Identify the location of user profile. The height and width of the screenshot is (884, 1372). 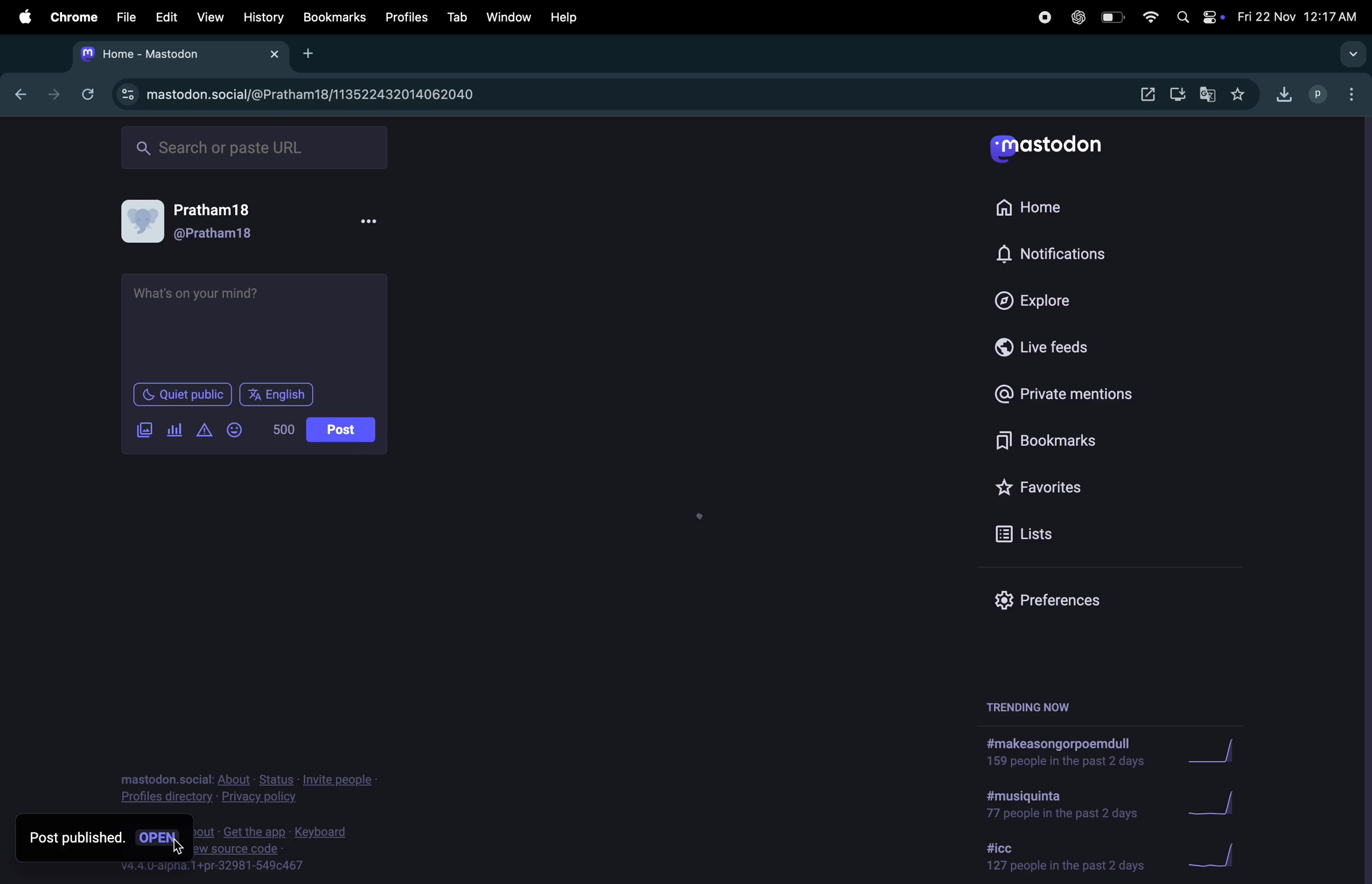
(253, 222).